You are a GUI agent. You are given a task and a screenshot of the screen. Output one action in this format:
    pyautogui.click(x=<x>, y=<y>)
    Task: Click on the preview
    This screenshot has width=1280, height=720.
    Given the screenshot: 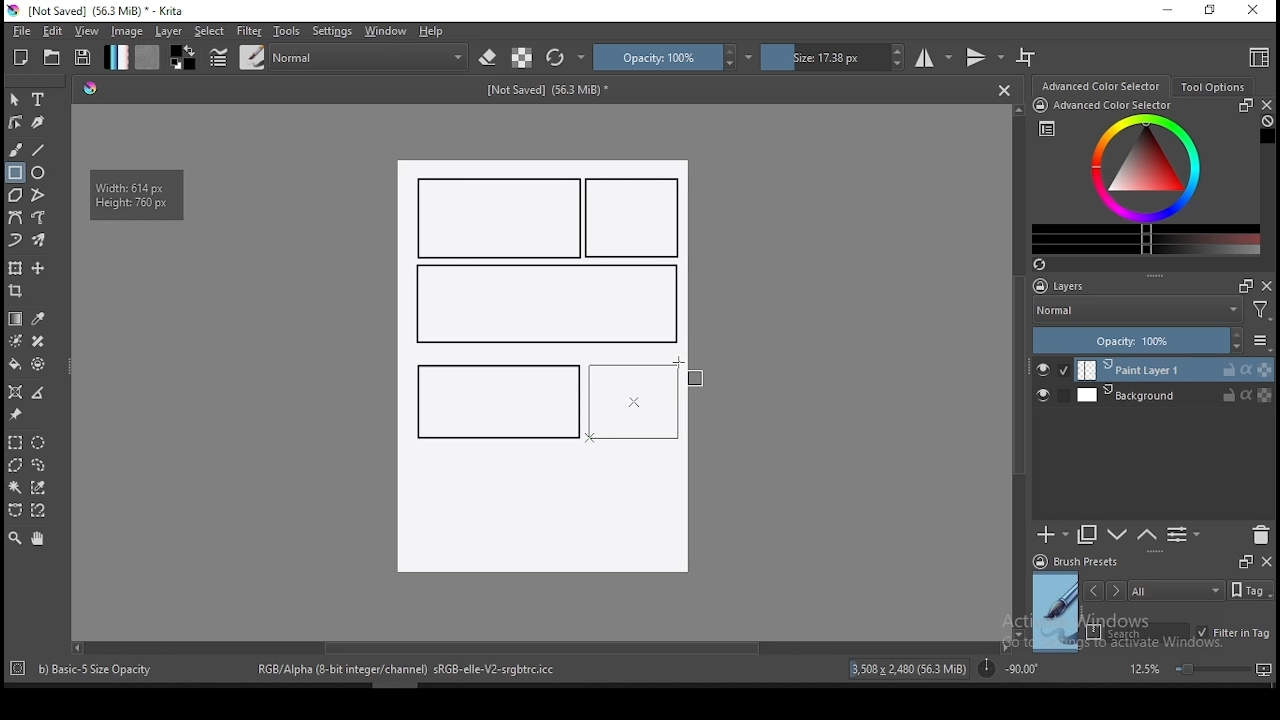 What is the action you would take?
    pyautogui.click(x=1056, y=612)
    